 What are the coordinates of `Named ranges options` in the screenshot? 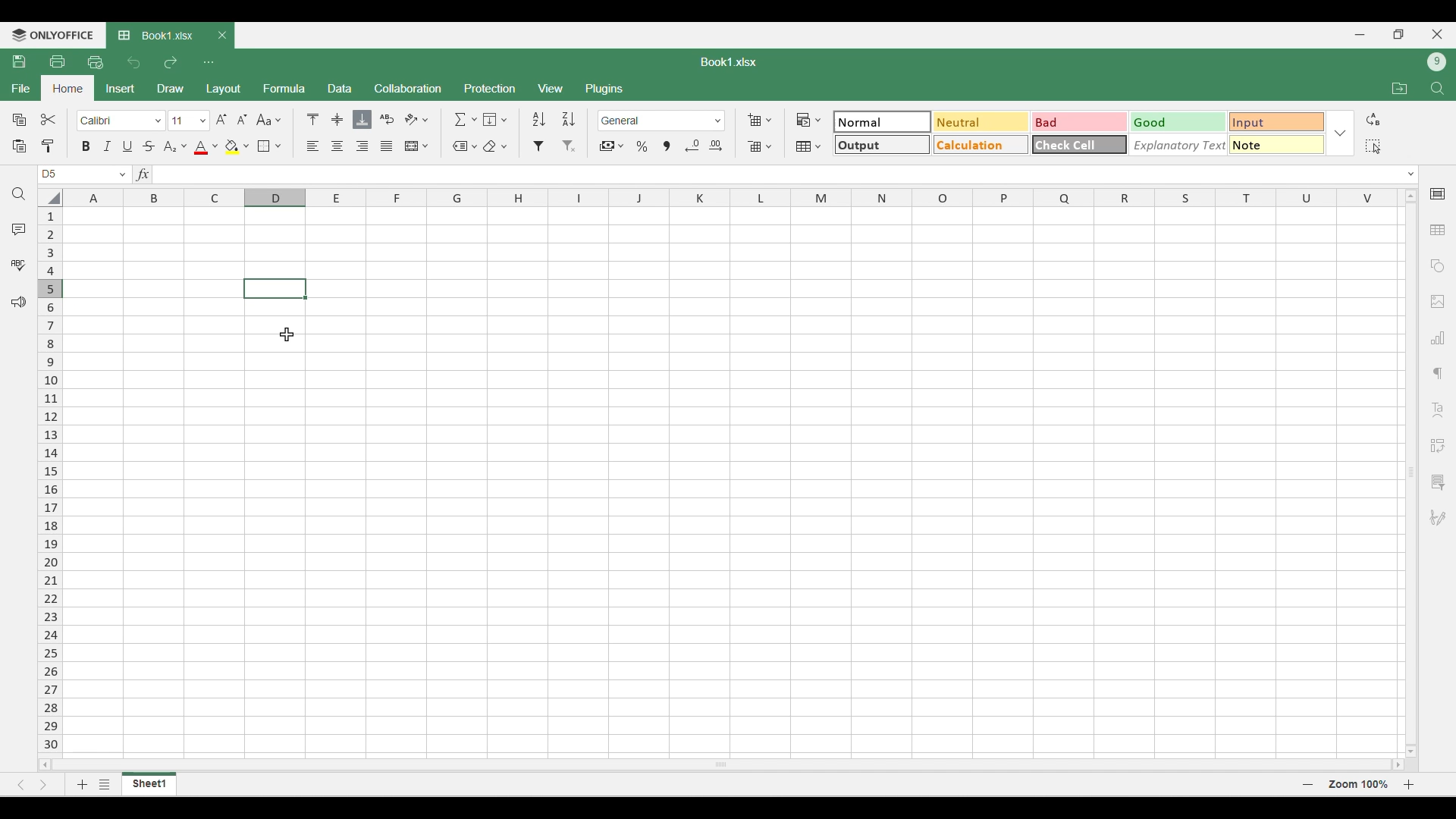 It's located at (465, 147).